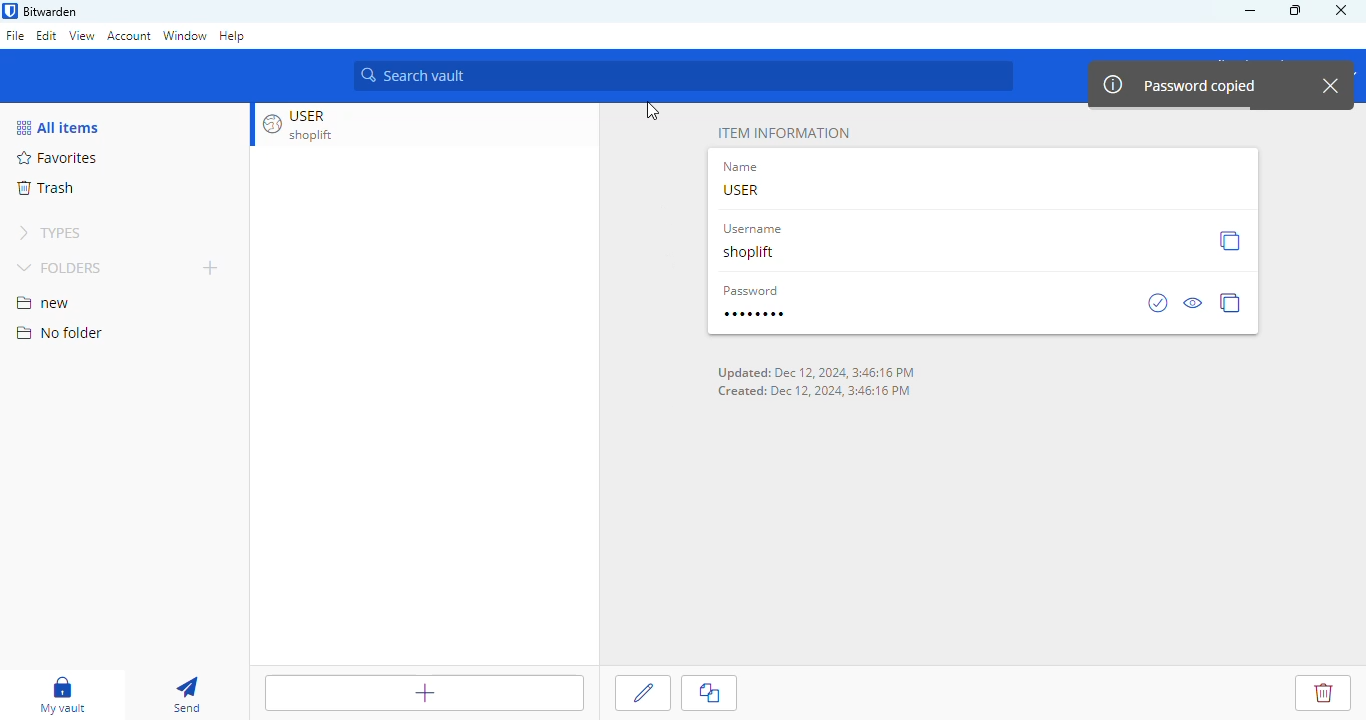  I want to click on window, so click(186, 39).